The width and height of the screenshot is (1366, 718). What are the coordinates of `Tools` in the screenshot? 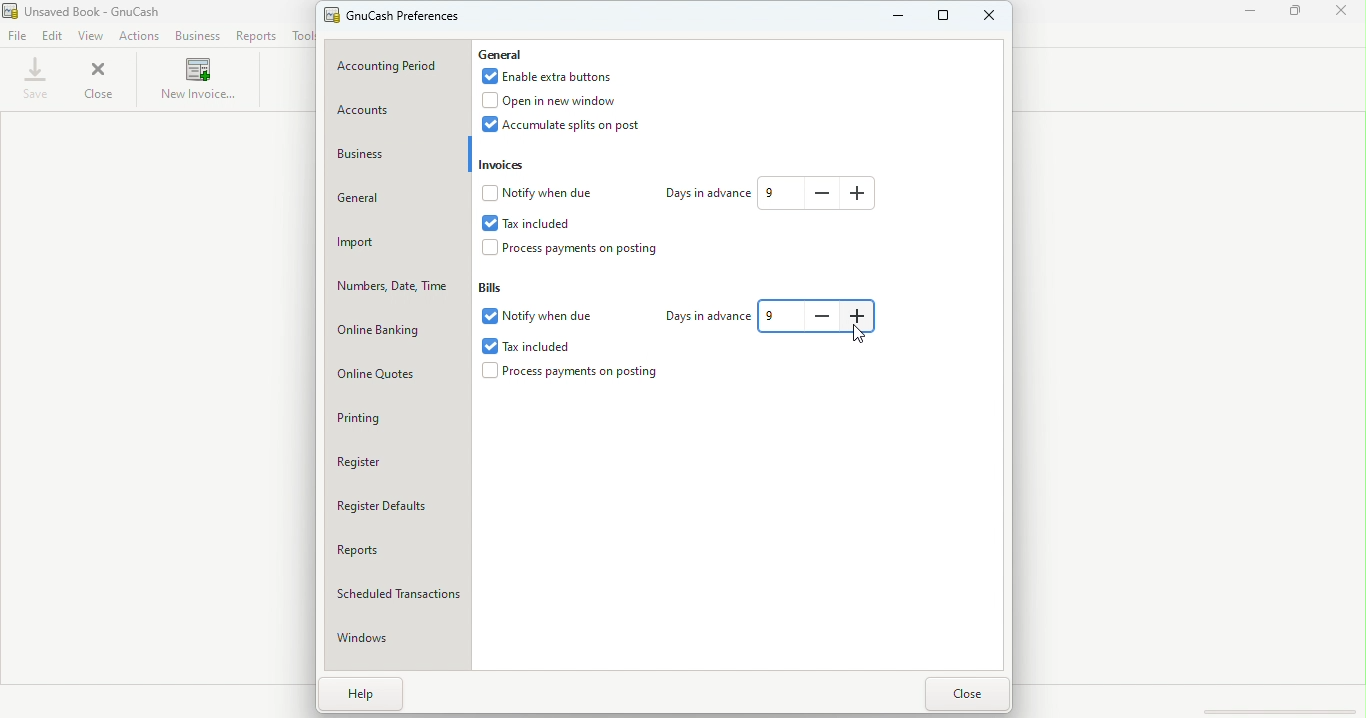 It's located at (302, 34).